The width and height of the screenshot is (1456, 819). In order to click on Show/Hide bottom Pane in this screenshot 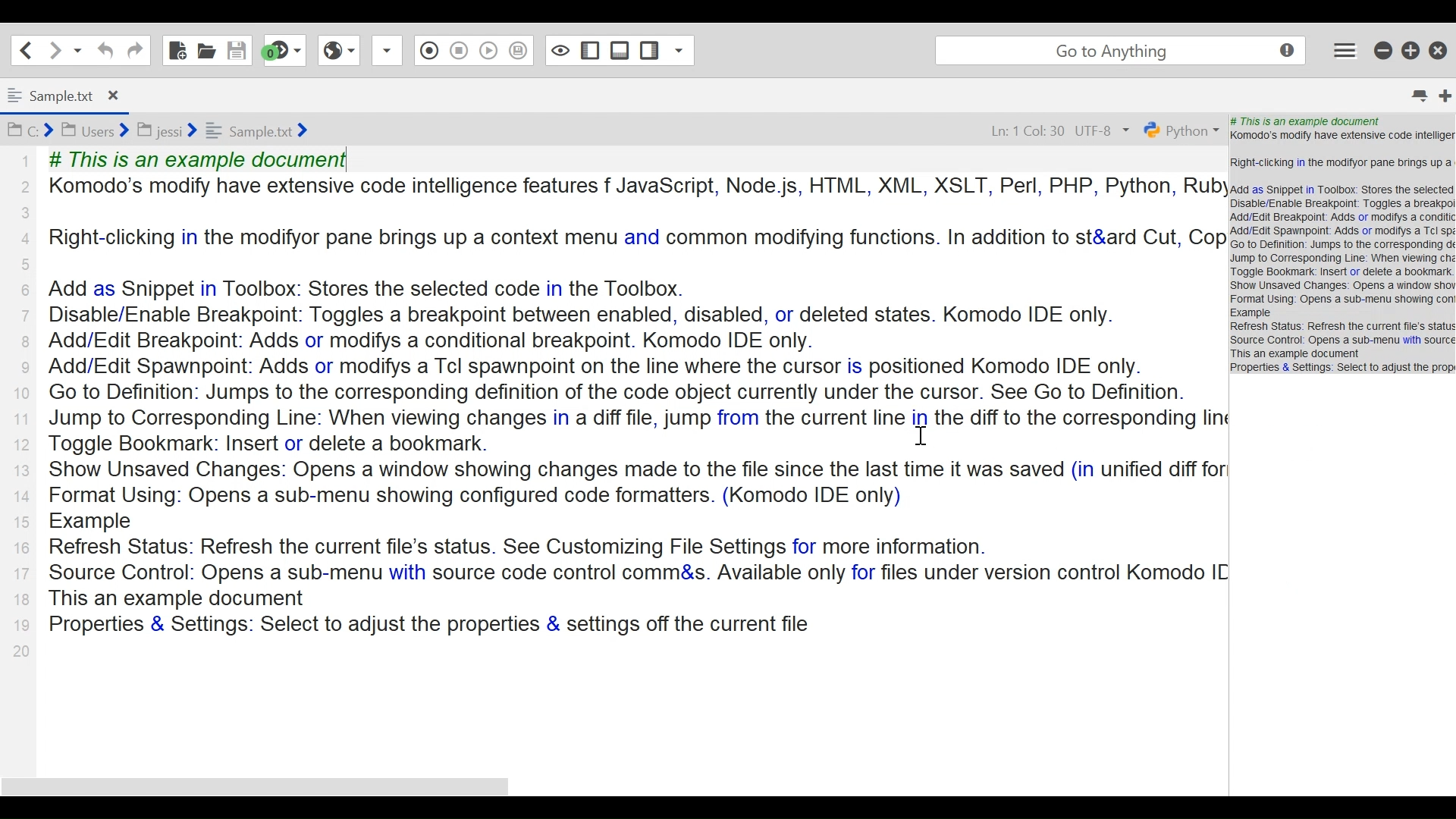, I will do `click(588, 50)`.